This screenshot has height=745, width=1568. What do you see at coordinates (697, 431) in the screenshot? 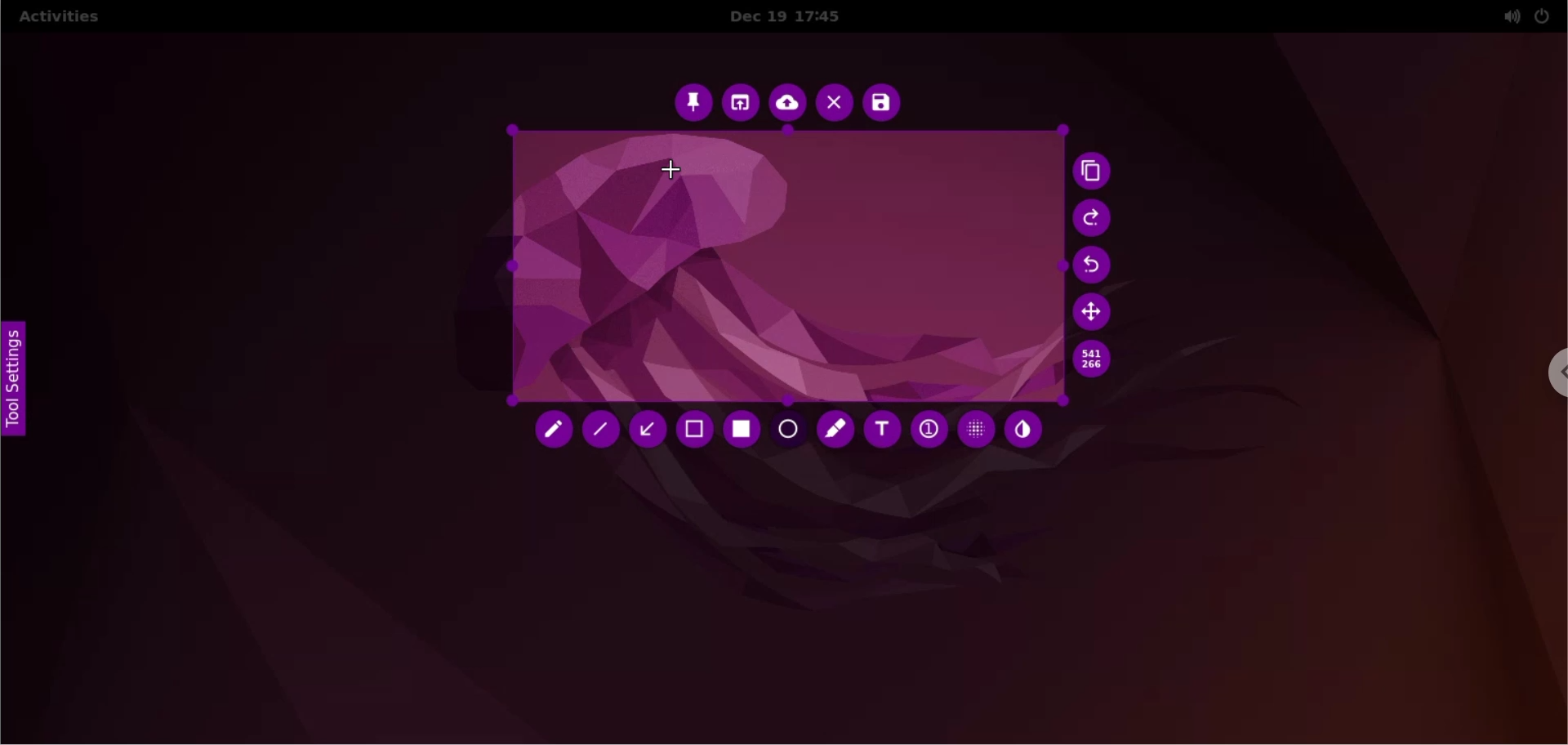
I see `selection tool` at bounding box center [697, 431].